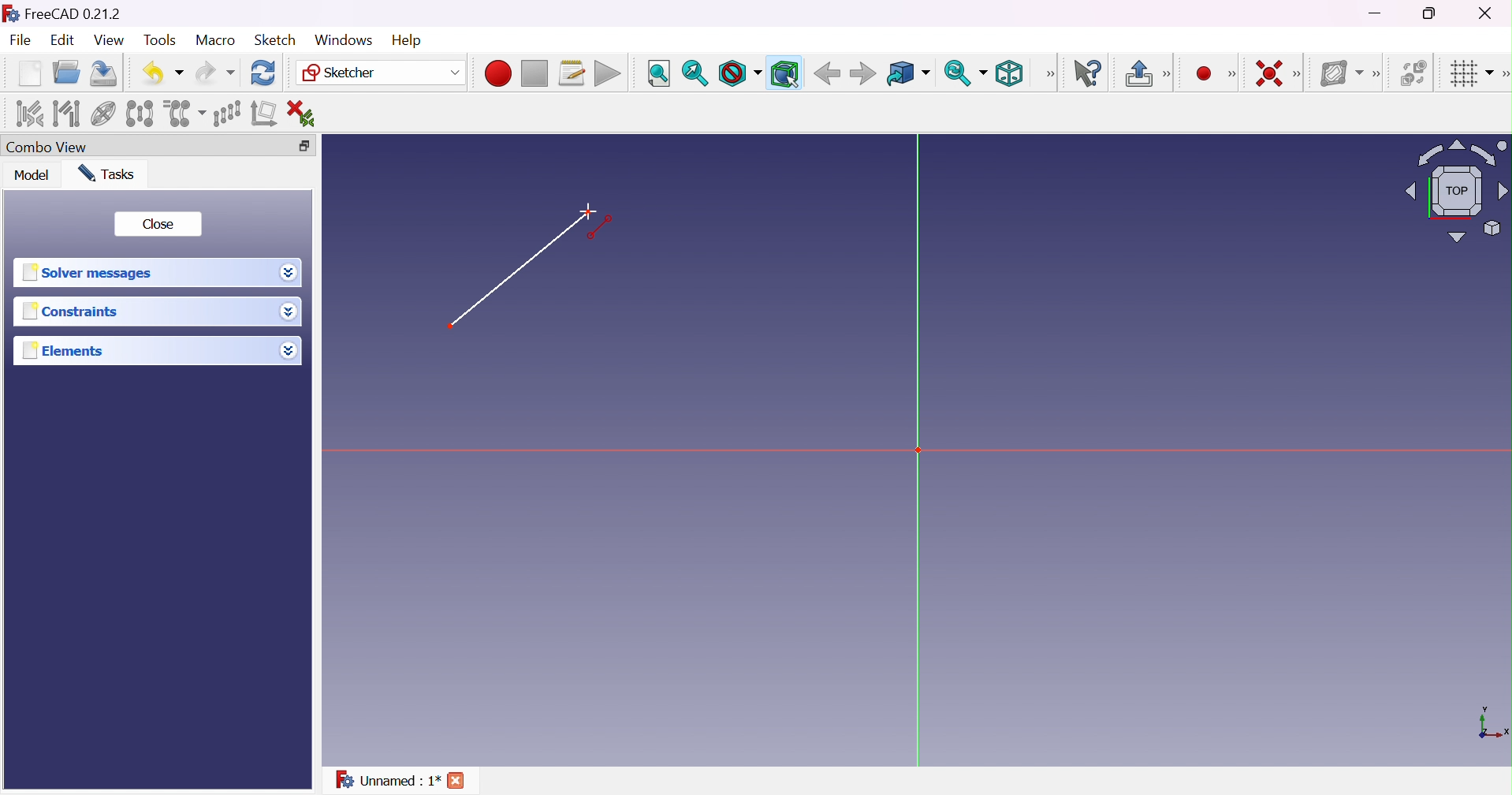 The width and height of the screenshot is (1512, 795). Describe the element at coordinates (497, 73) in the screenshot. I see `Macros recording` at that location.